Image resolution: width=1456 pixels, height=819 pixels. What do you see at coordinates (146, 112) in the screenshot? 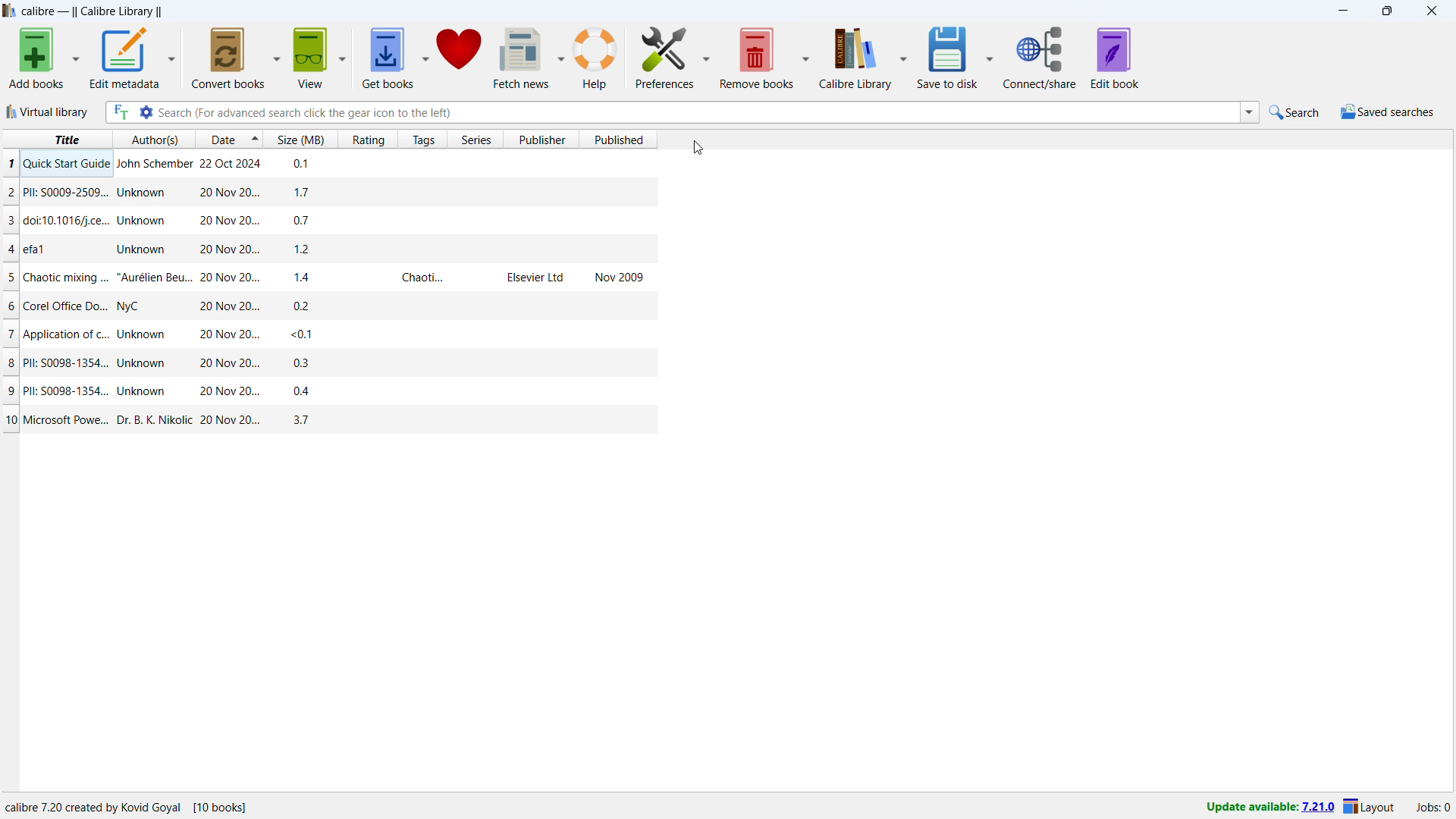
I see `advanced search` at bounding box center [146, 112].